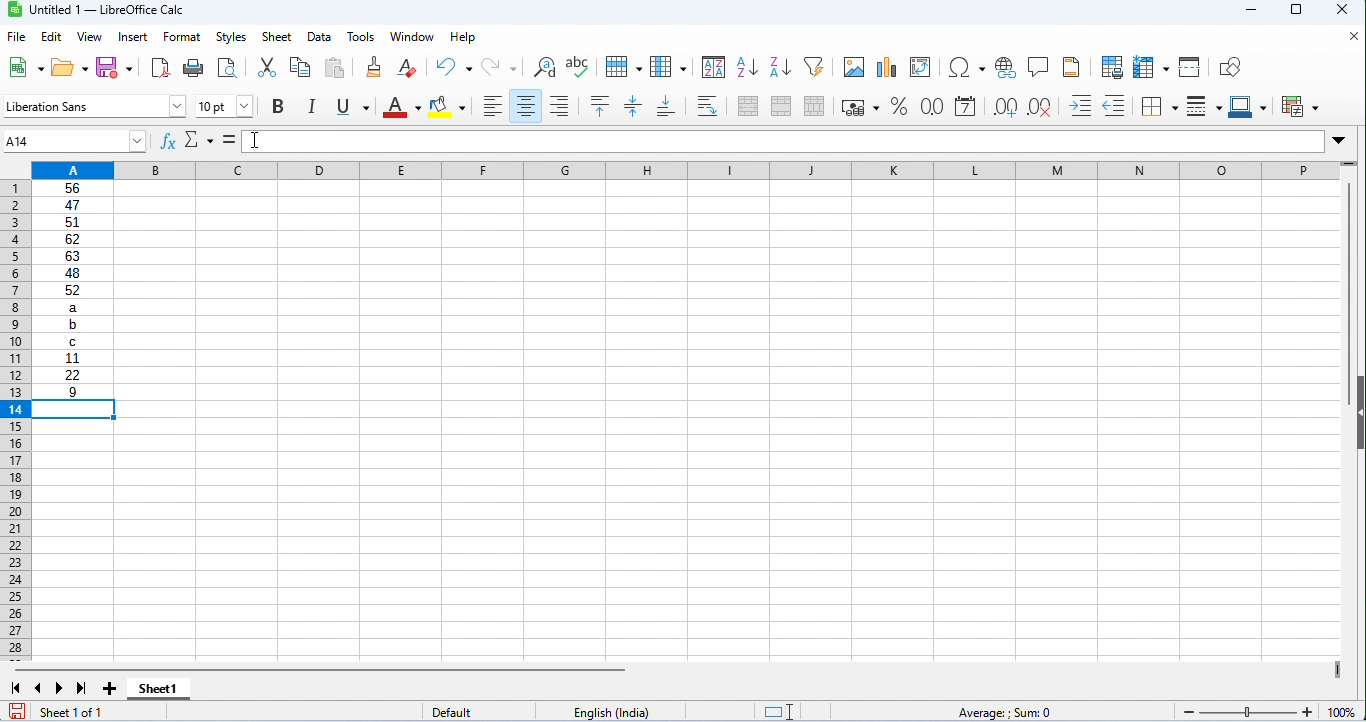 This screenshot has width=1366, height=722. What do you see at coordinates (351, 106) in the screenshot?
I see `underline` at bounding box center [351, 106].